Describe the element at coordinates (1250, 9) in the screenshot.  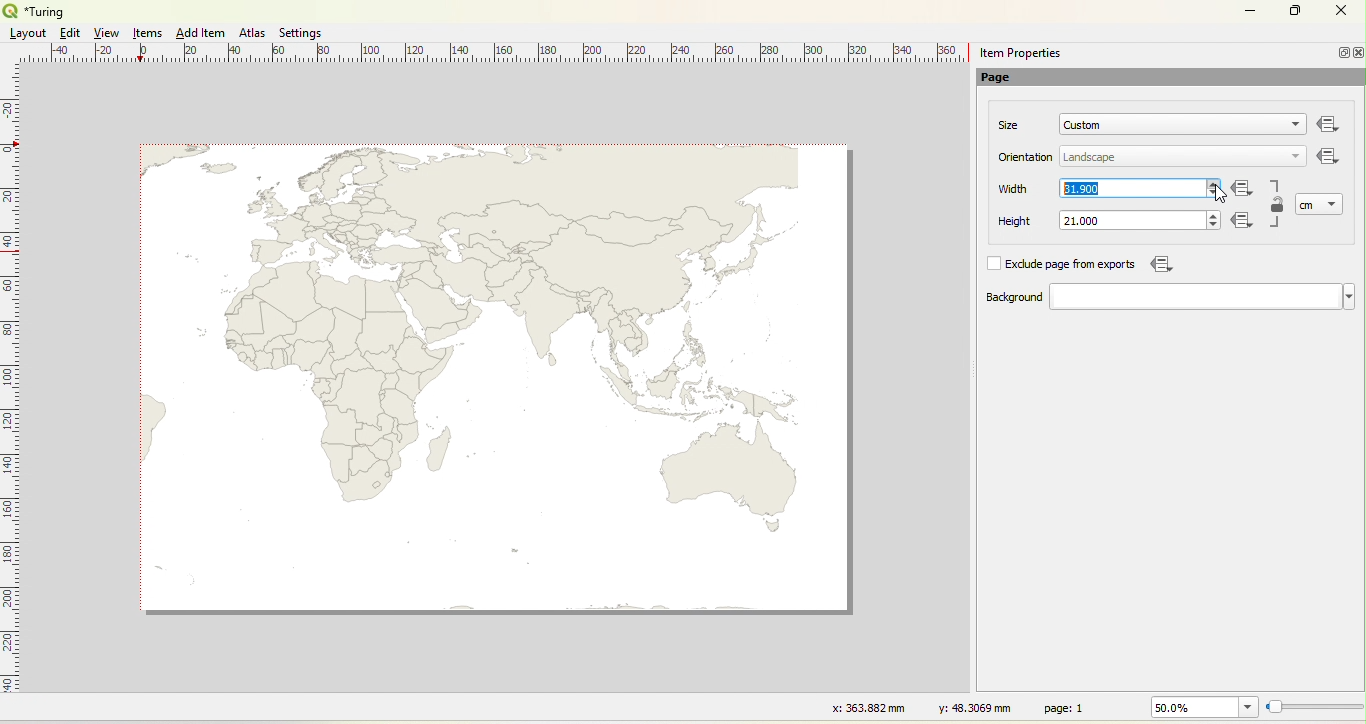
I see `Minimize` at that location.